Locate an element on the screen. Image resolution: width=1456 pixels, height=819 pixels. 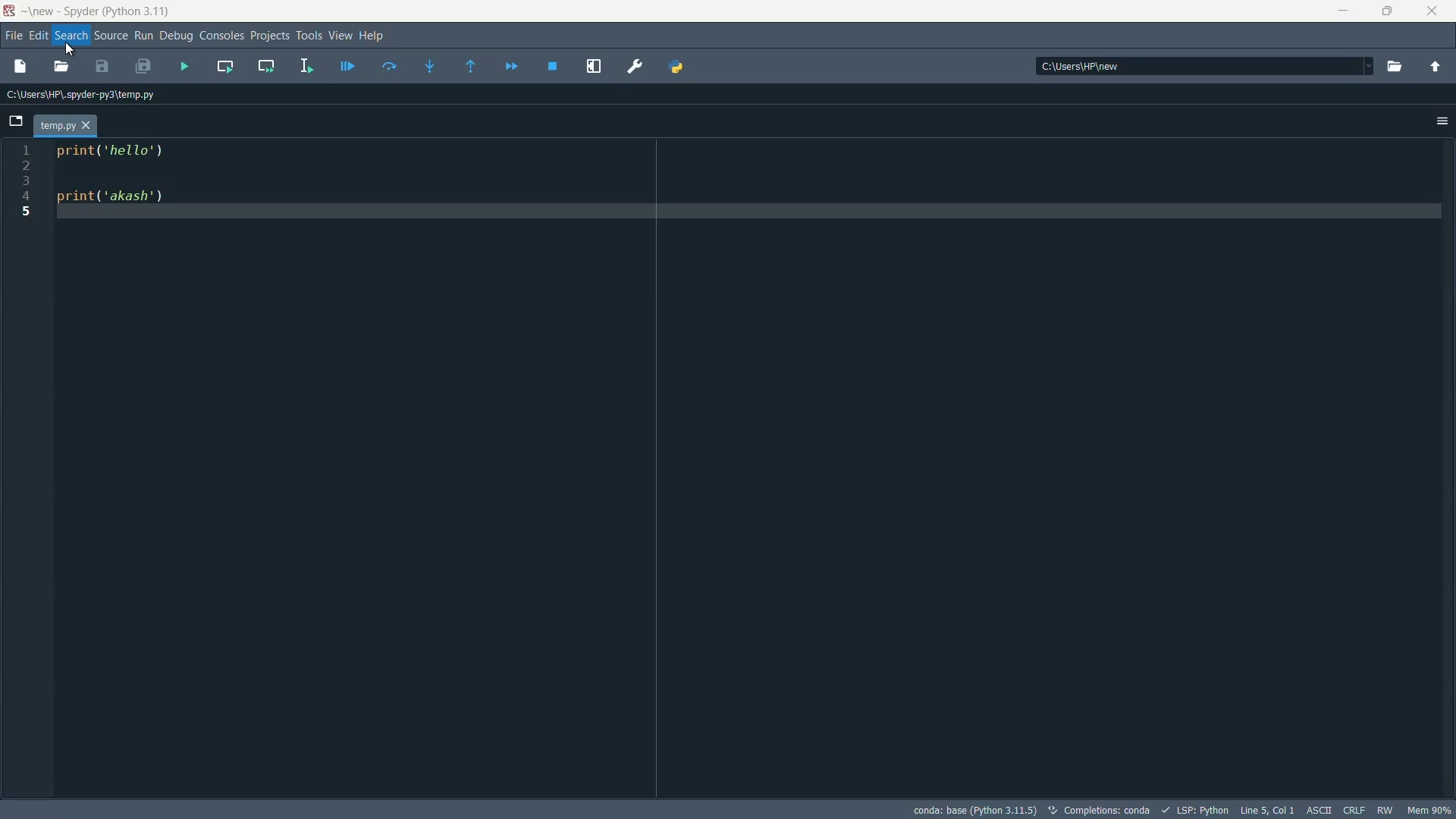
preferences is located at coordinates (633, 66).